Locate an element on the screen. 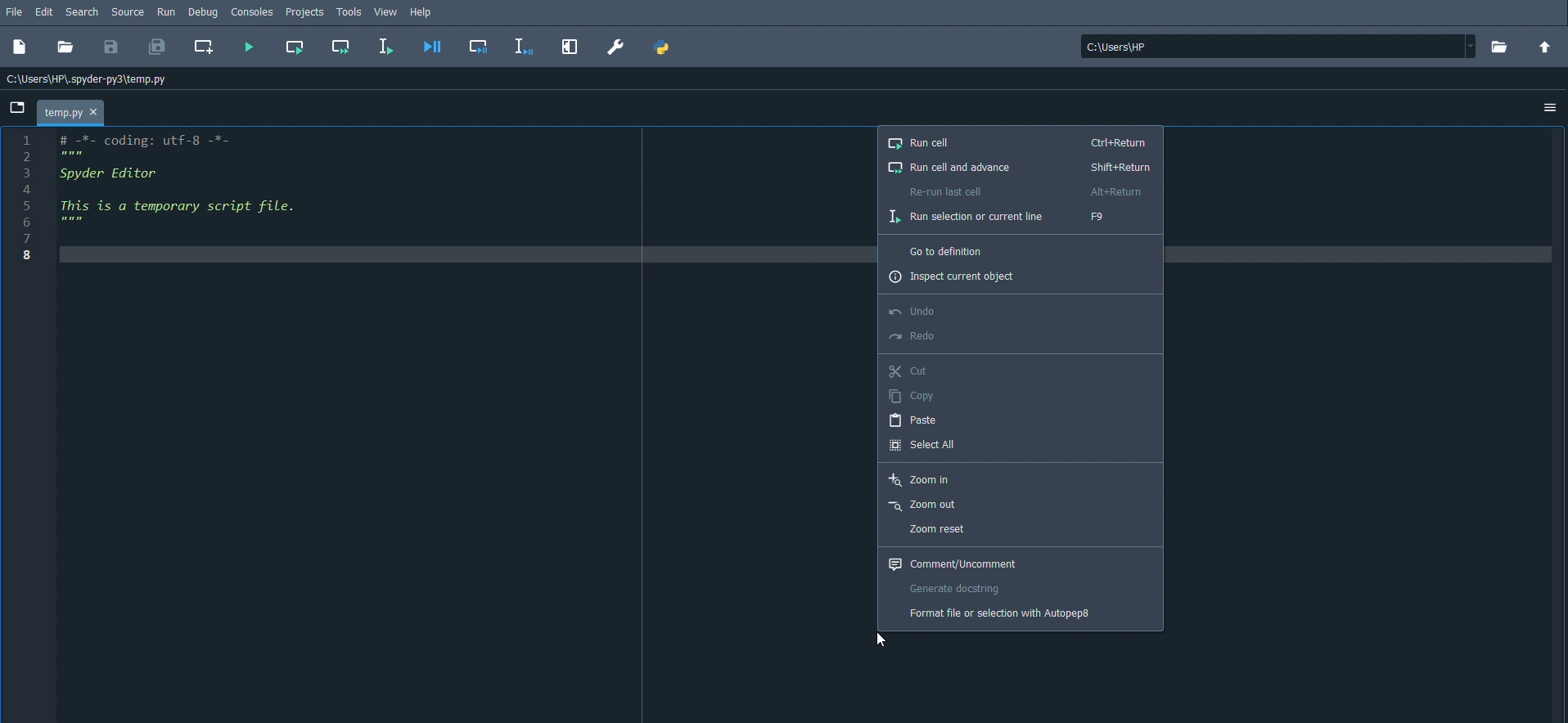 Image resolution: width=1568 pixels, height=723 pixels. Zoom reset is located at coordinates (936, 528).